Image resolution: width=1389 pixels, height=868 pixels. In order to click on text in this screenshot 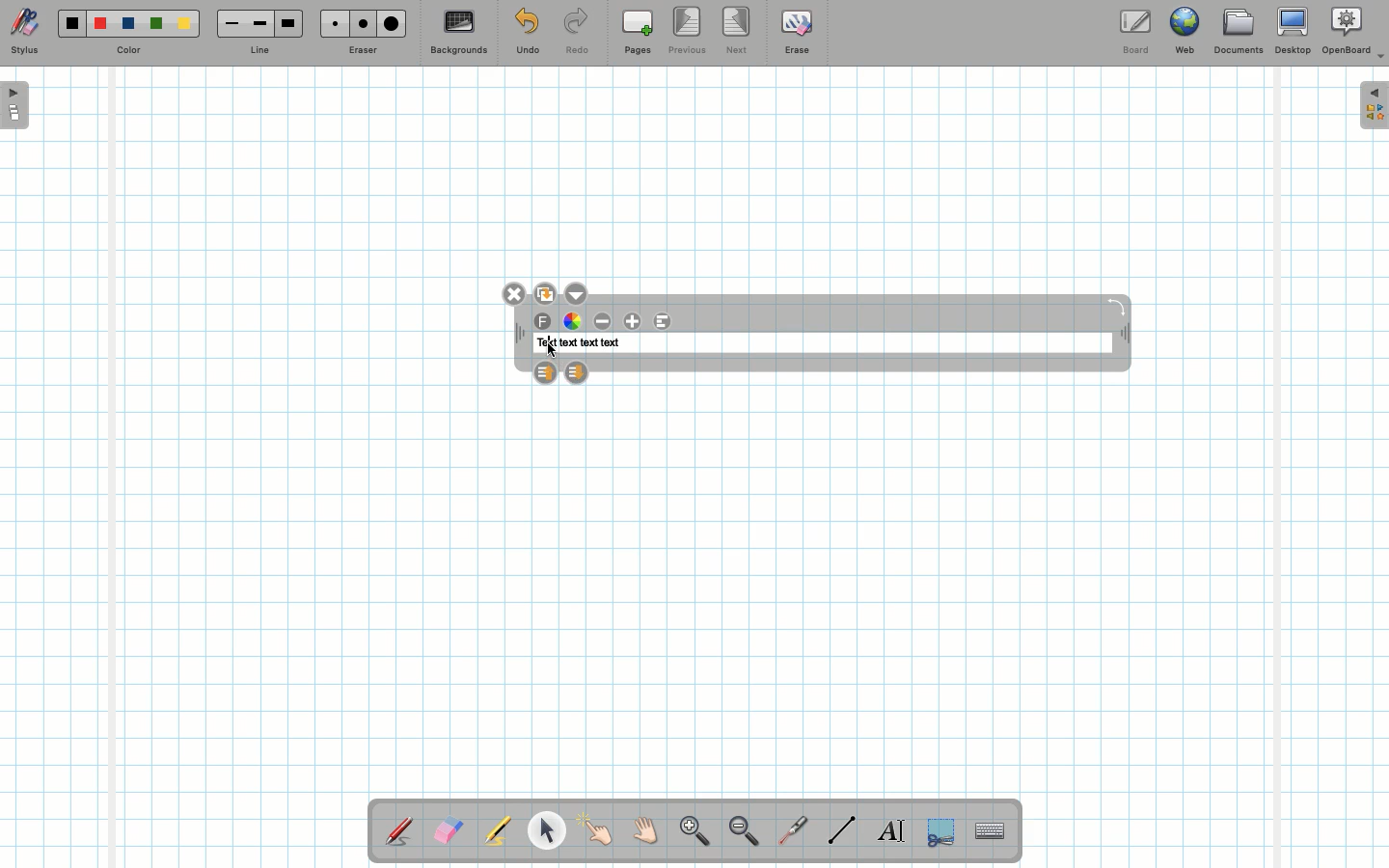, I will do `click(567, 343)`.